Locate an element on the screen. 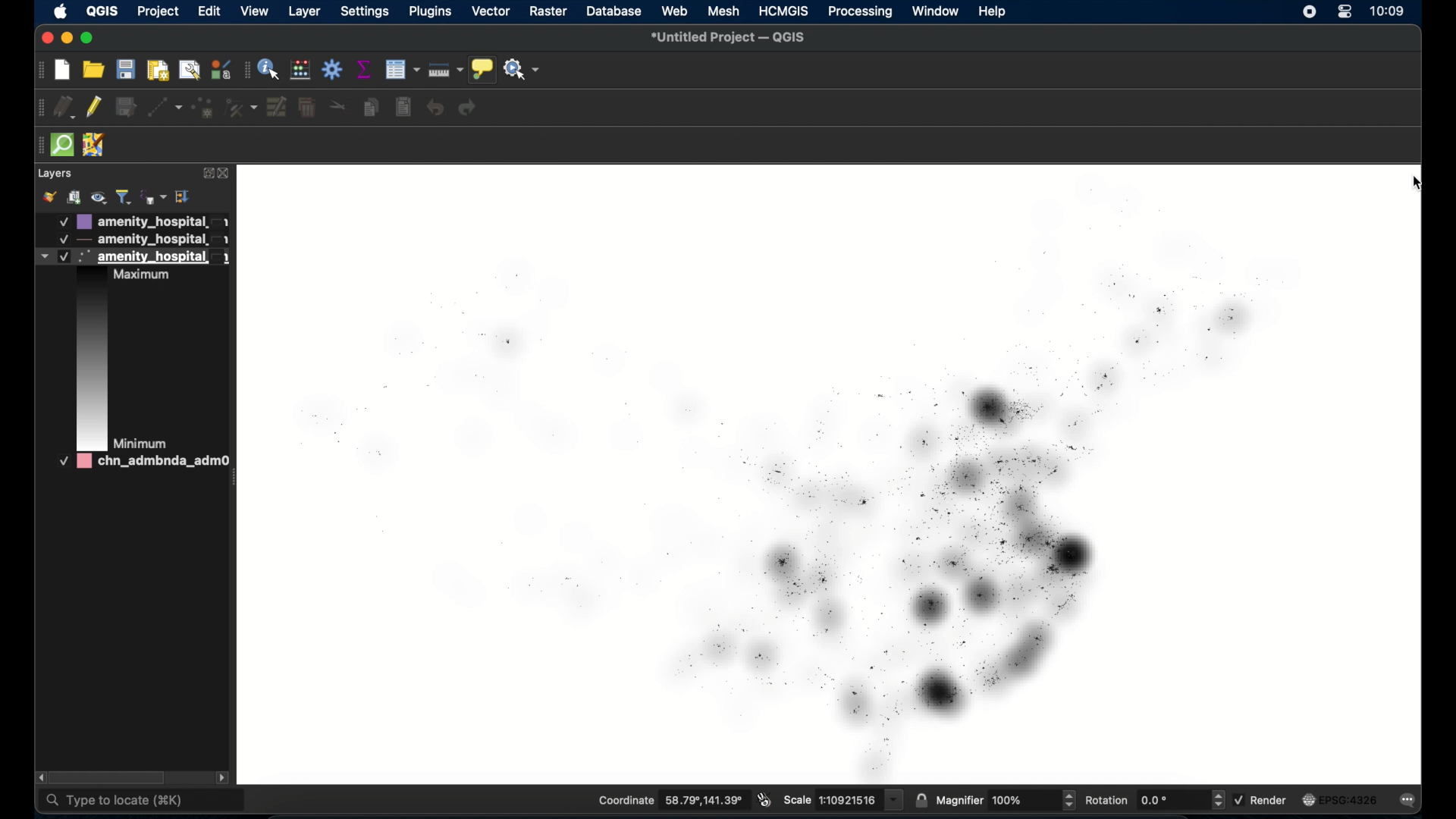 The width and height of the screenshot is (1456, 819). window is located at coordinates (935, 11).